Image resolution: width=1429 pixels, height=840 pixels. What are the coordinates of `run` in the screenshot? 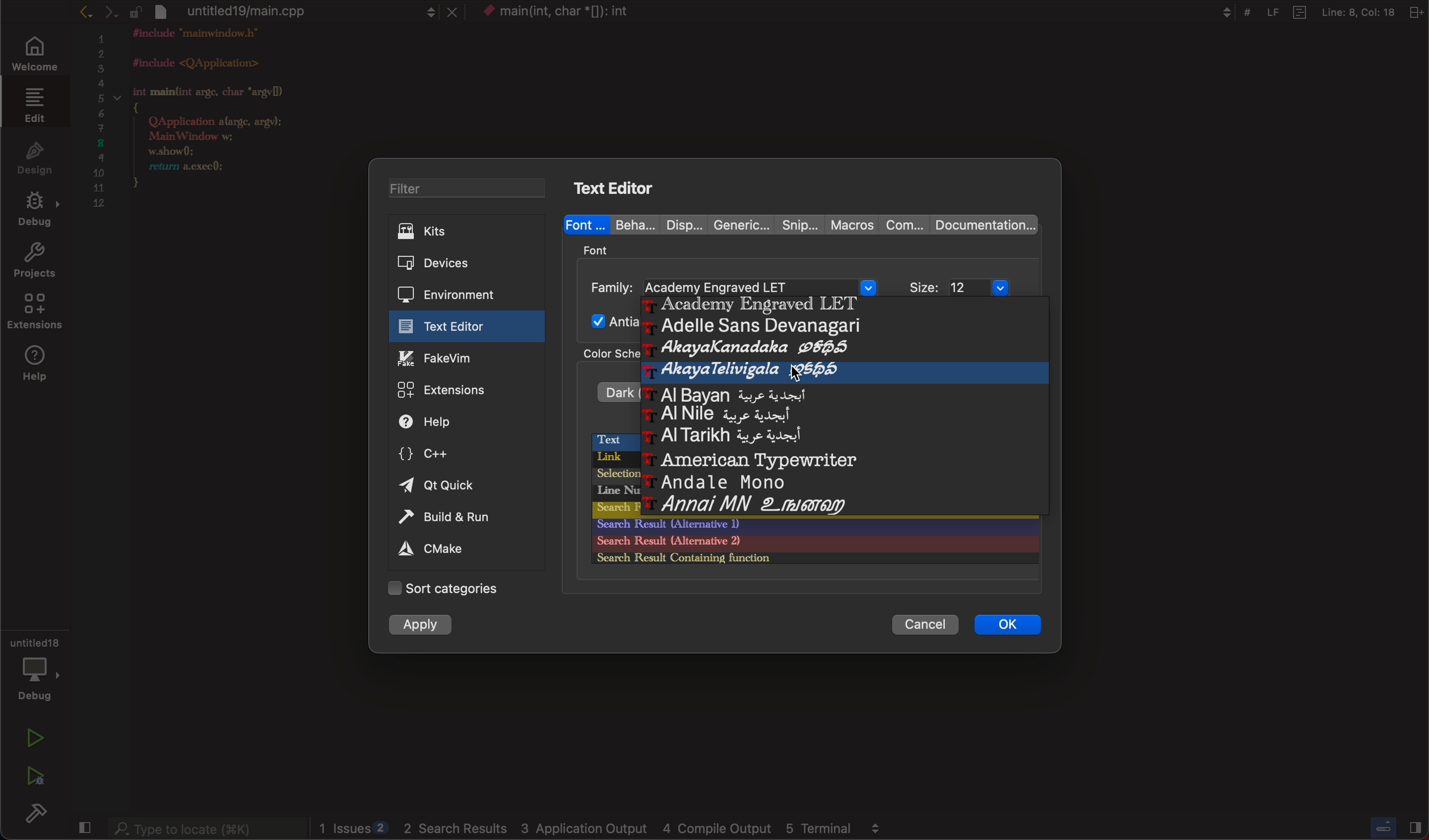 It's located at (31, 739).